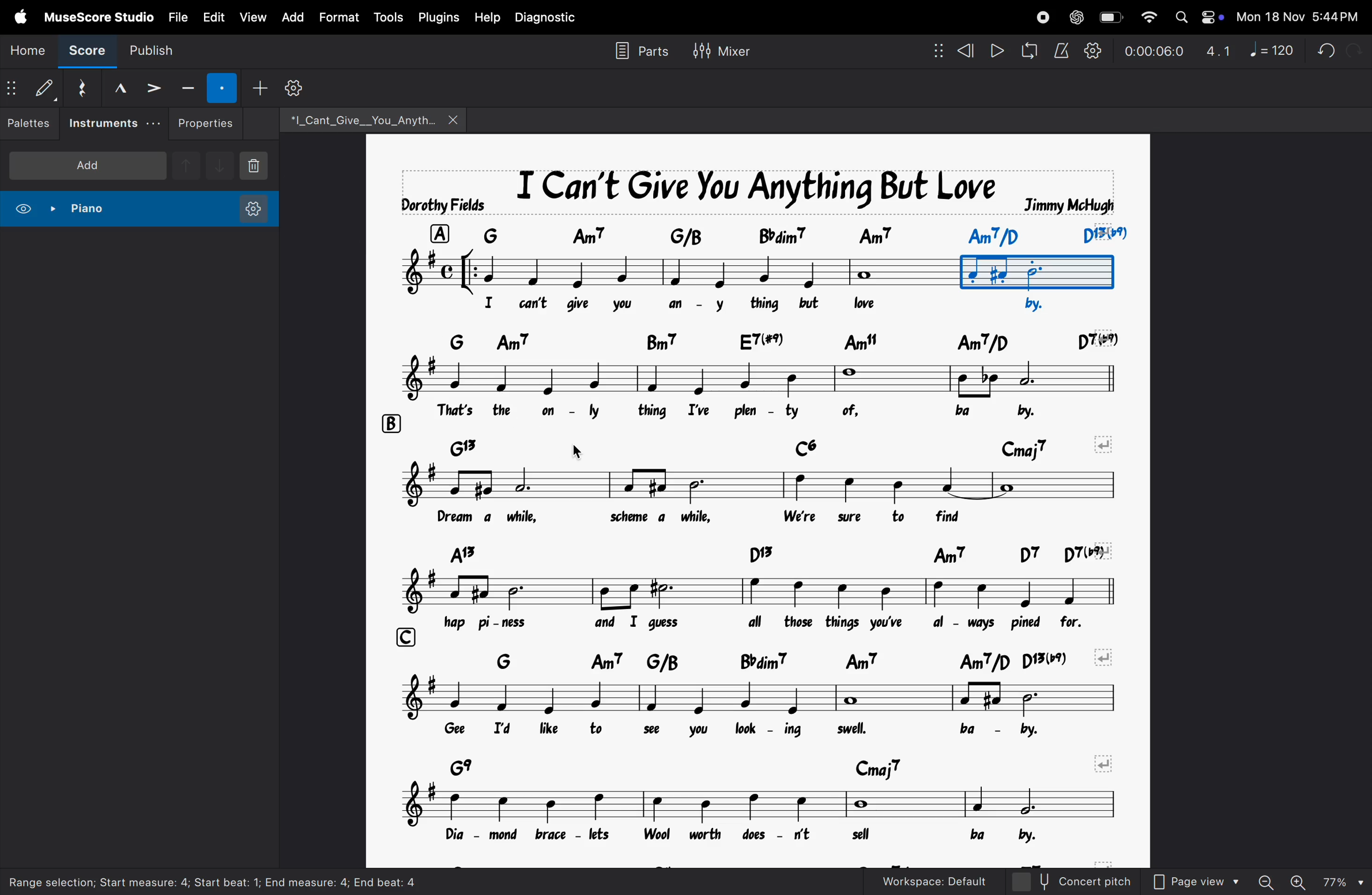 The image size is (1372, 895). What do you see at coordinates (251, 206) in the screenshot?
I see `instrument settings` at bounding box center [251, 206].